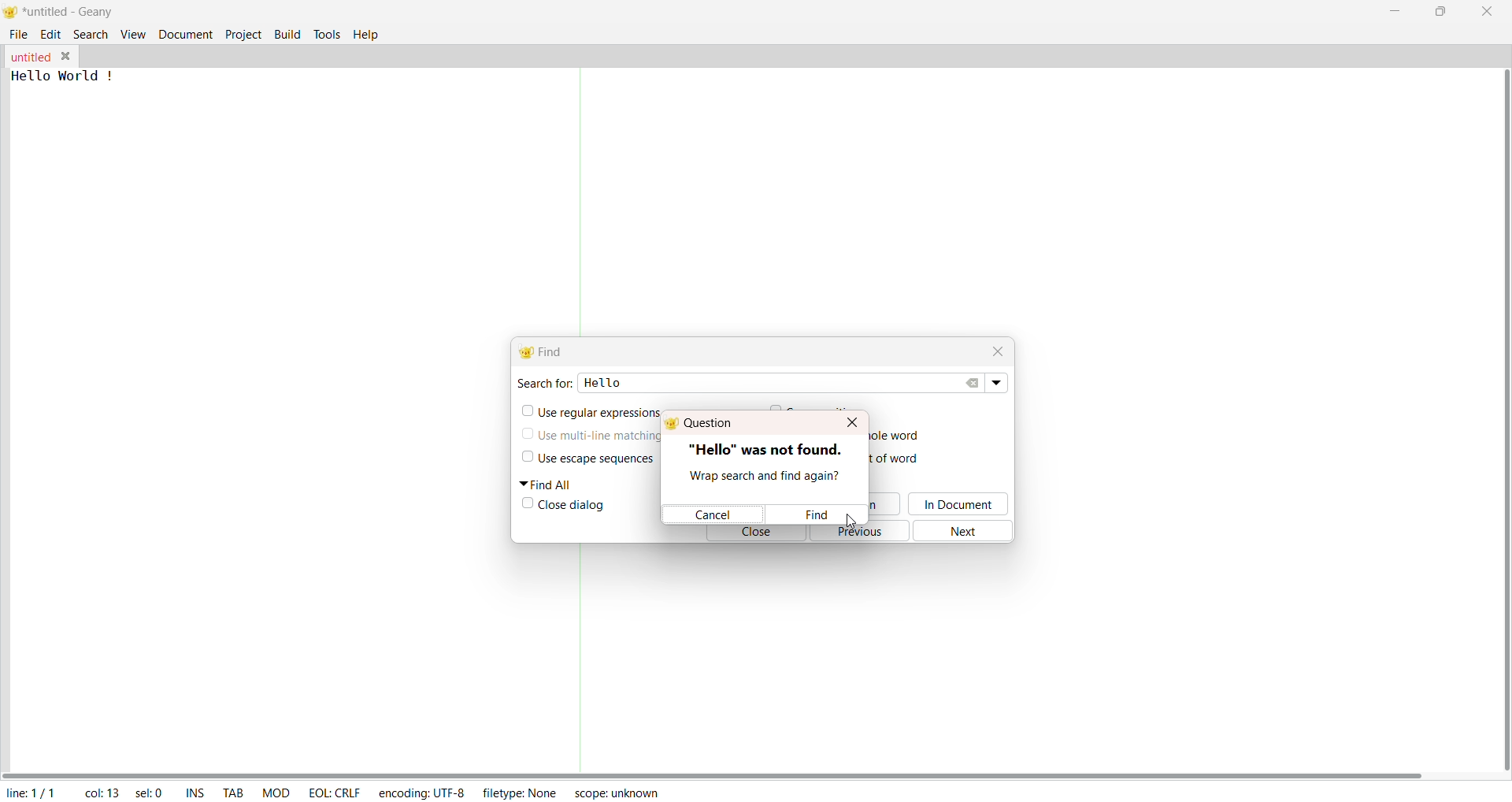 The height and width of the screenshot is (802, 1512). I want to click on Title, so click(72, 13).